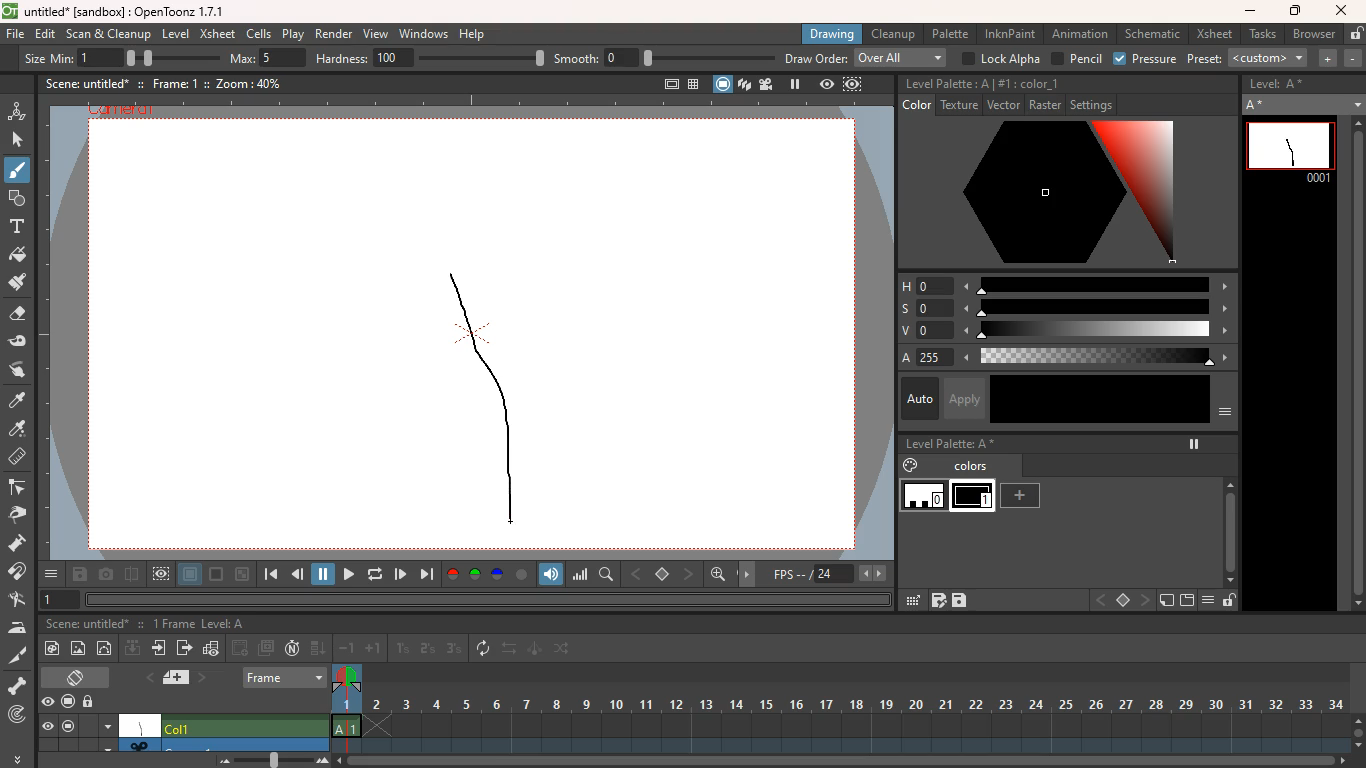 This screenshot has height=768, width=1366. I want to click on erase, so click(19, 318).